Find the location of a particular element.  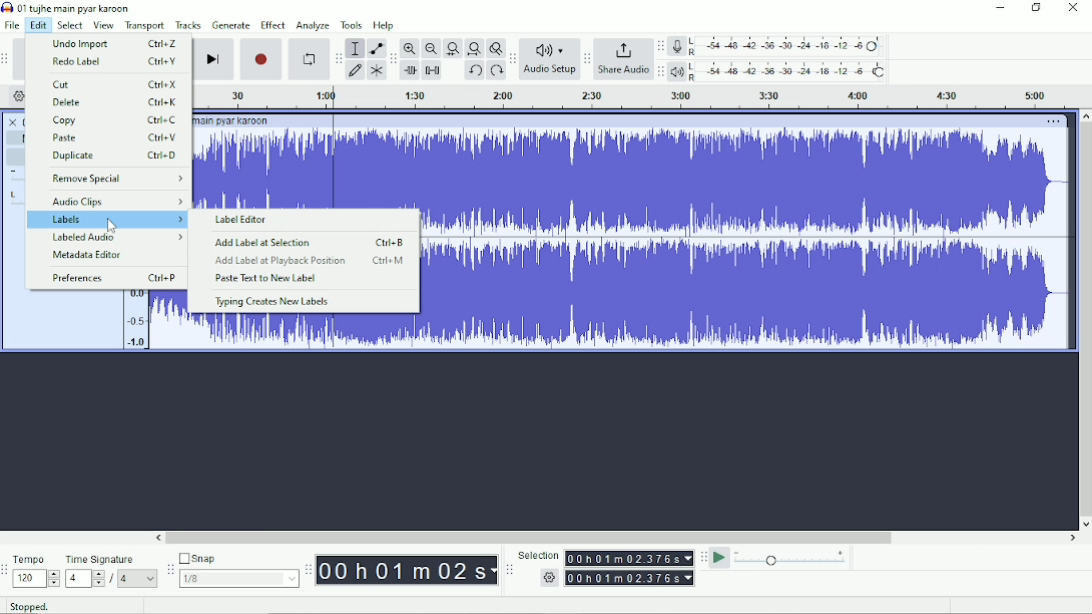

File is located at coordinates (11, 25).